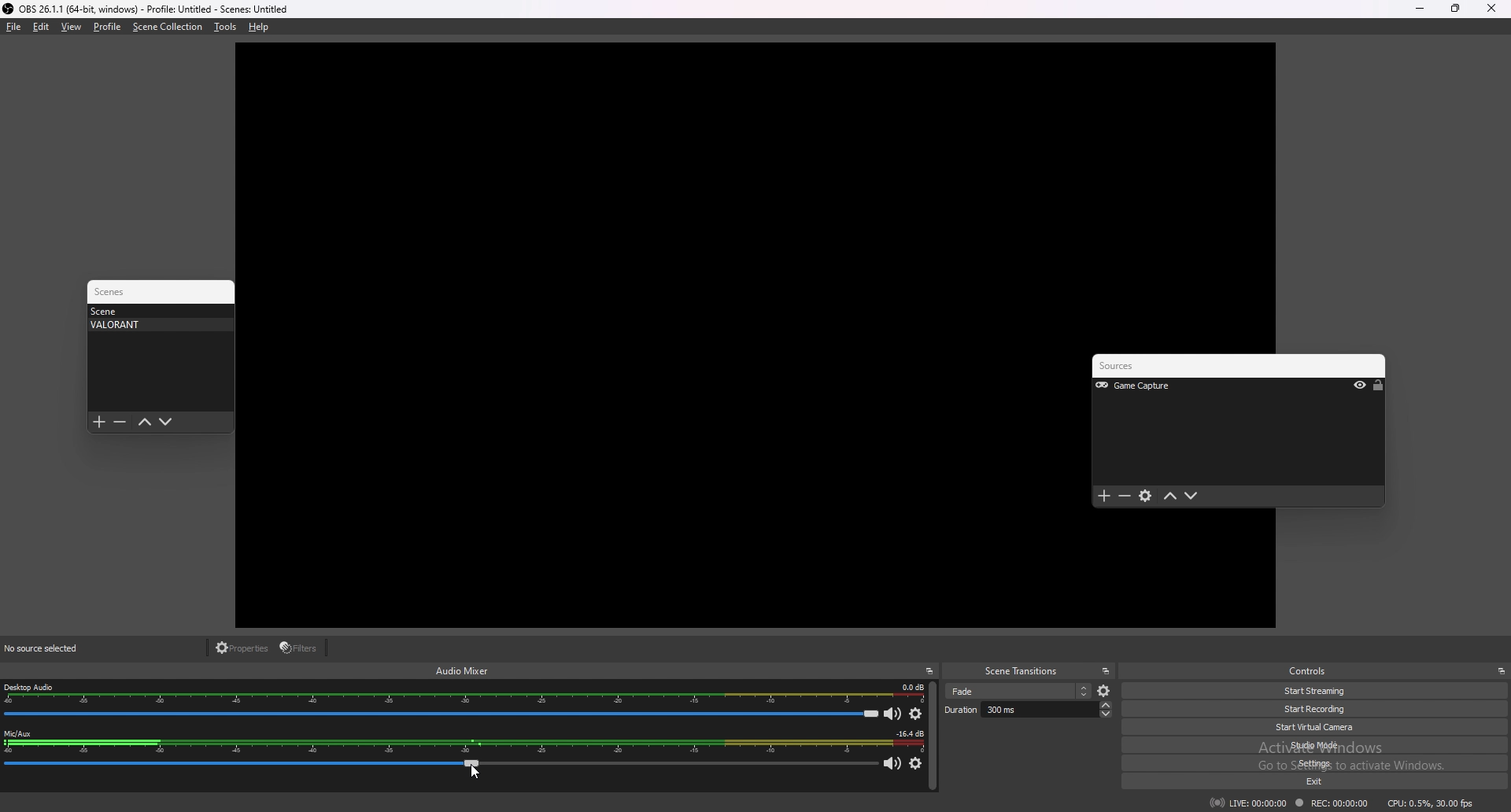  I want to click on scene, so click(156, 311).